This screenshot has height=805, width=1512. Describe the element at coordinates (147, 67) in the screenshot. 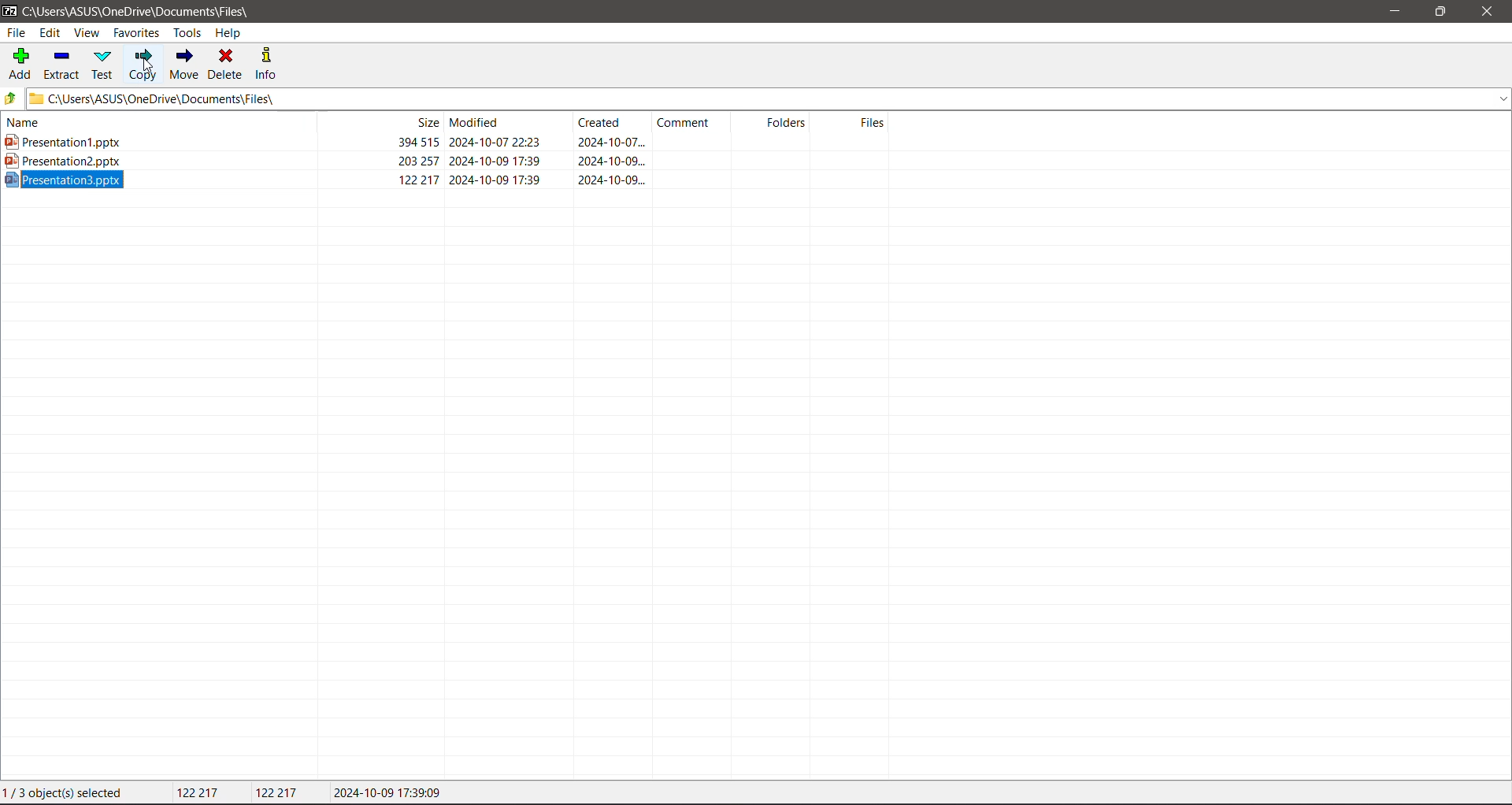

I see `Cursor` at that location.